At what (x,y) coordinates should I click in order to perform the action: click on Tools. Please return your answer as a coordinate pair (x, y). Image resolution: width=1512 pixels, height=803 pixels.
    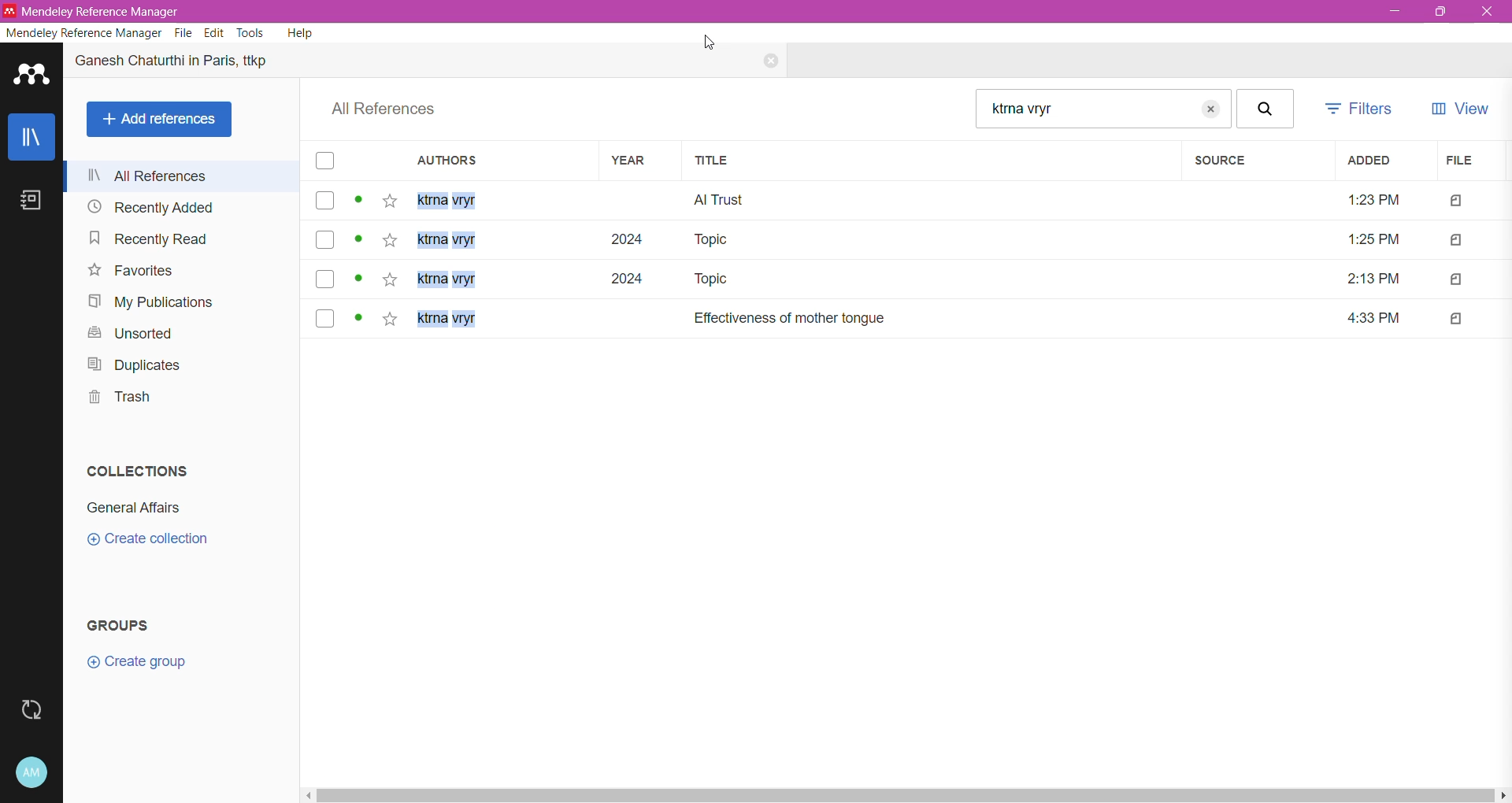
    Looking at the image, I should click on (251, 33).